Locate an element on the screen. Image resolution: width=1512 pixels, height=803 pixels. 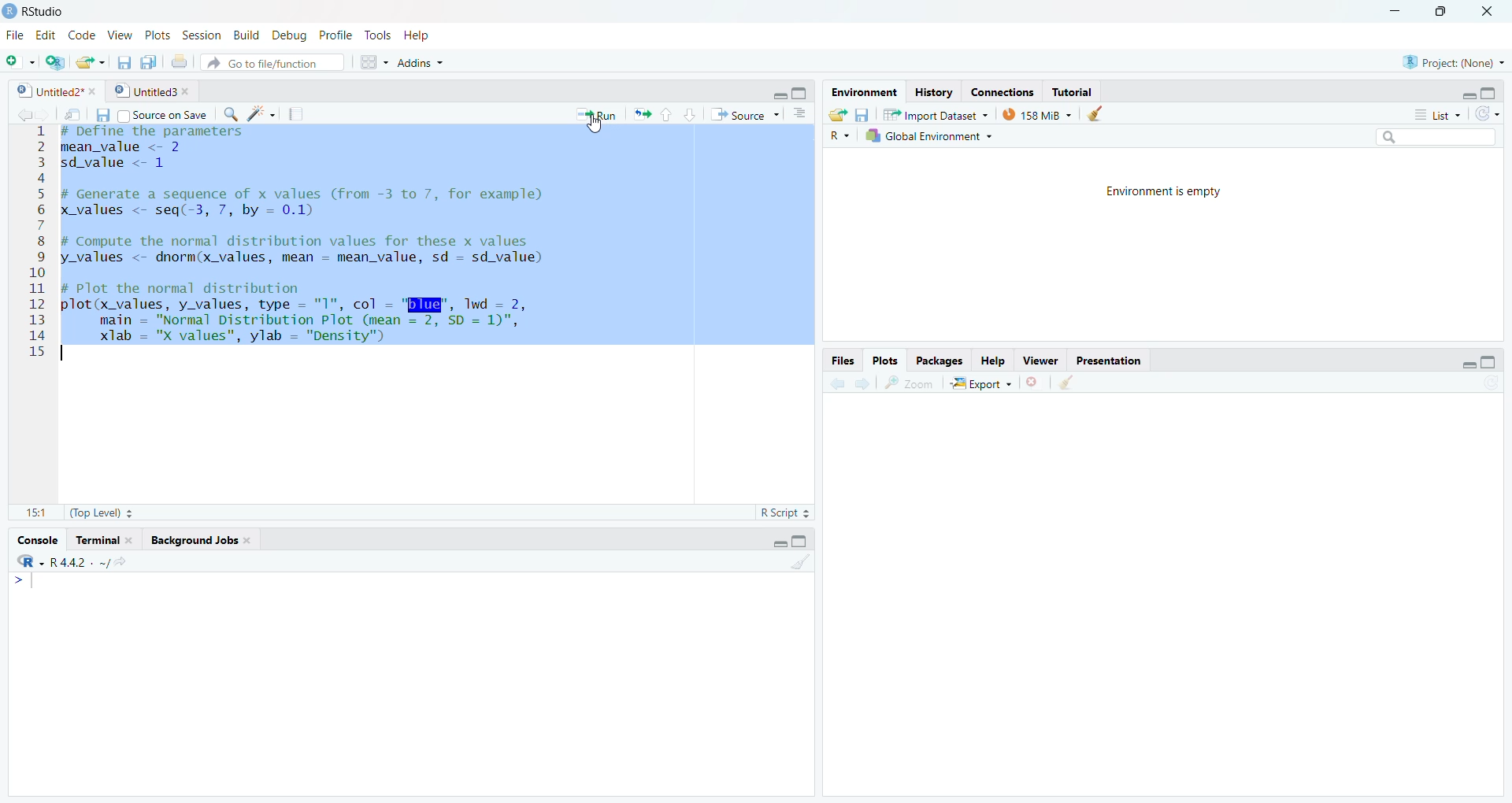
Plots is located at coordinates (157, 32).